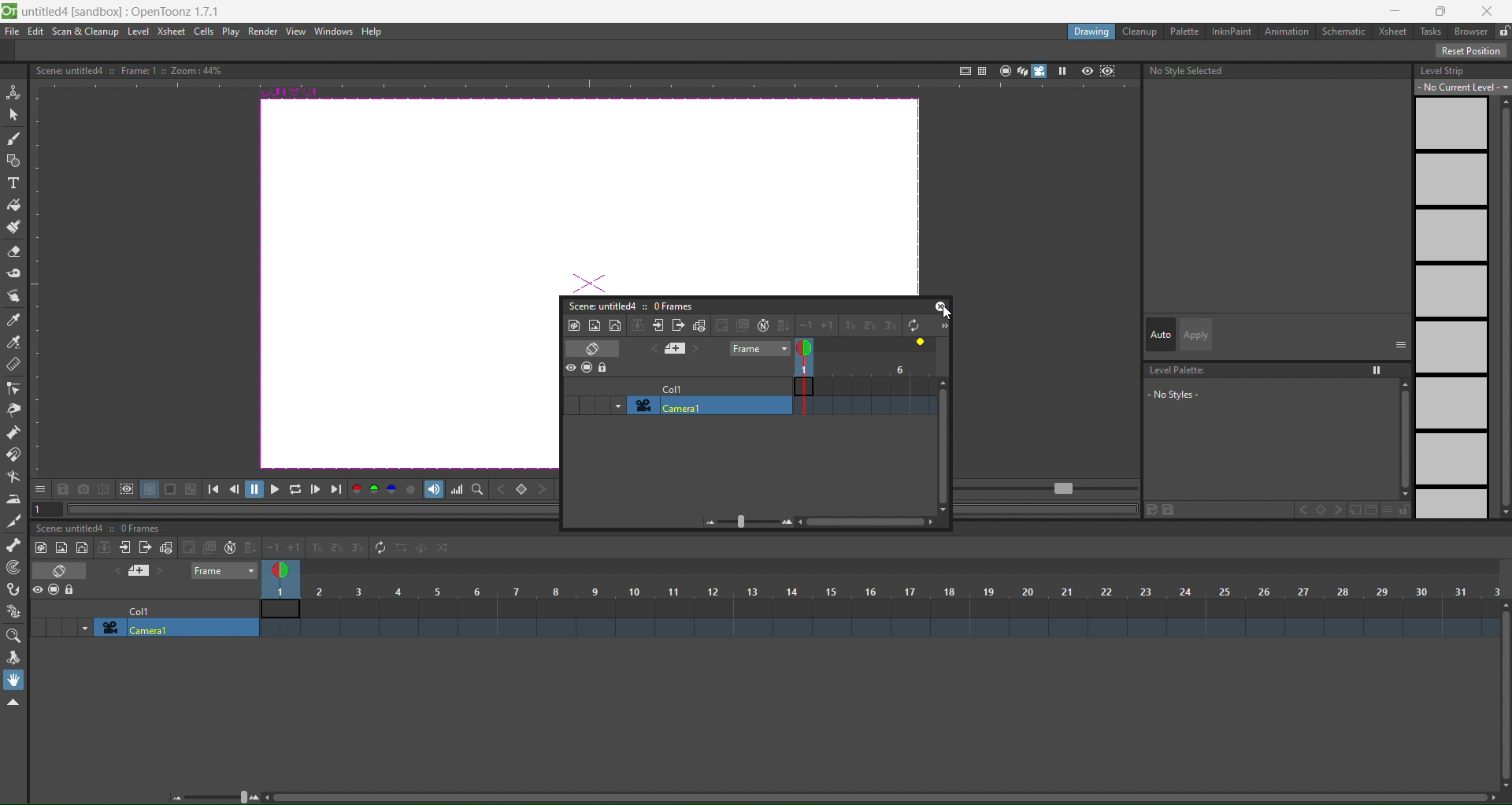 The image size is (1512, 805). I want to click on create blank drawing, so click(198, 547).